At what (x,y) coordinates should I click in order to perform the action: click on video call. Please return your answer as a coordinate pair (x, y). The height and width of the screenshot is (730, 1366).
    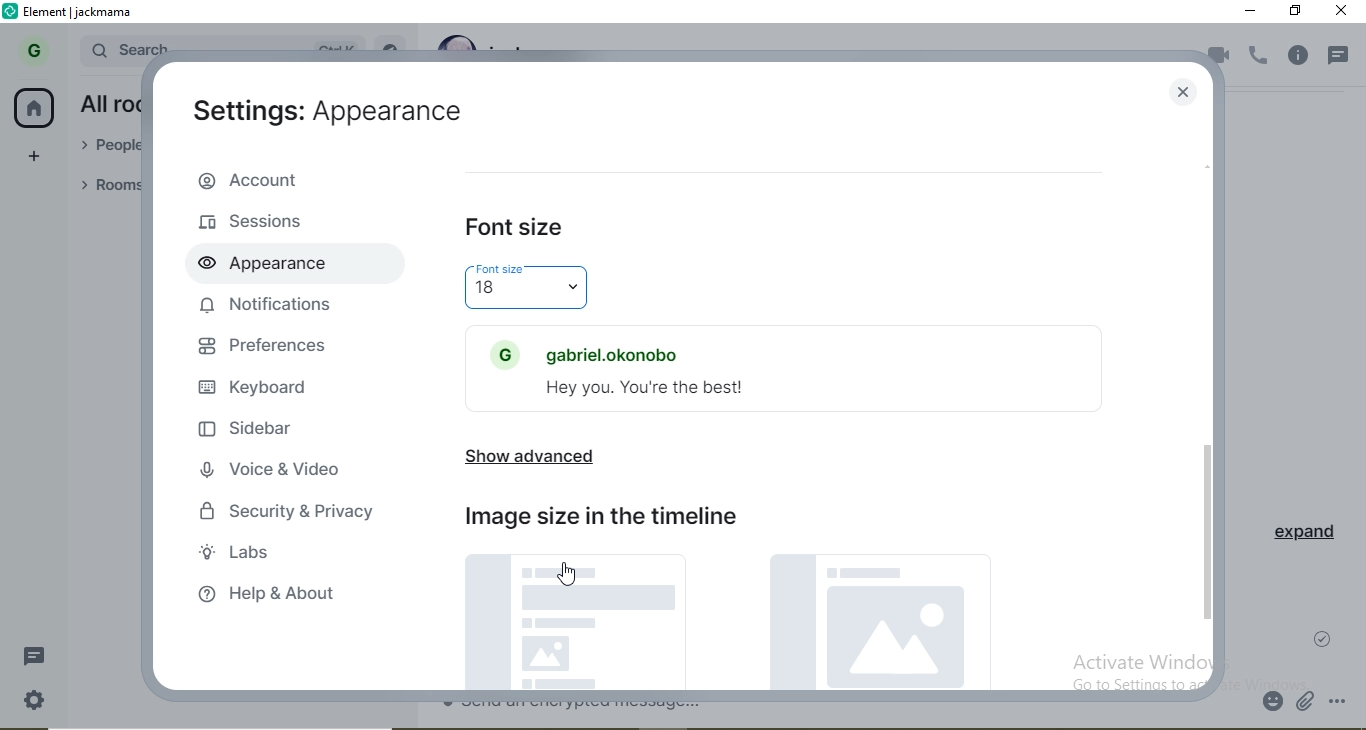
    Looking at the image, I should click on (1217, 58).